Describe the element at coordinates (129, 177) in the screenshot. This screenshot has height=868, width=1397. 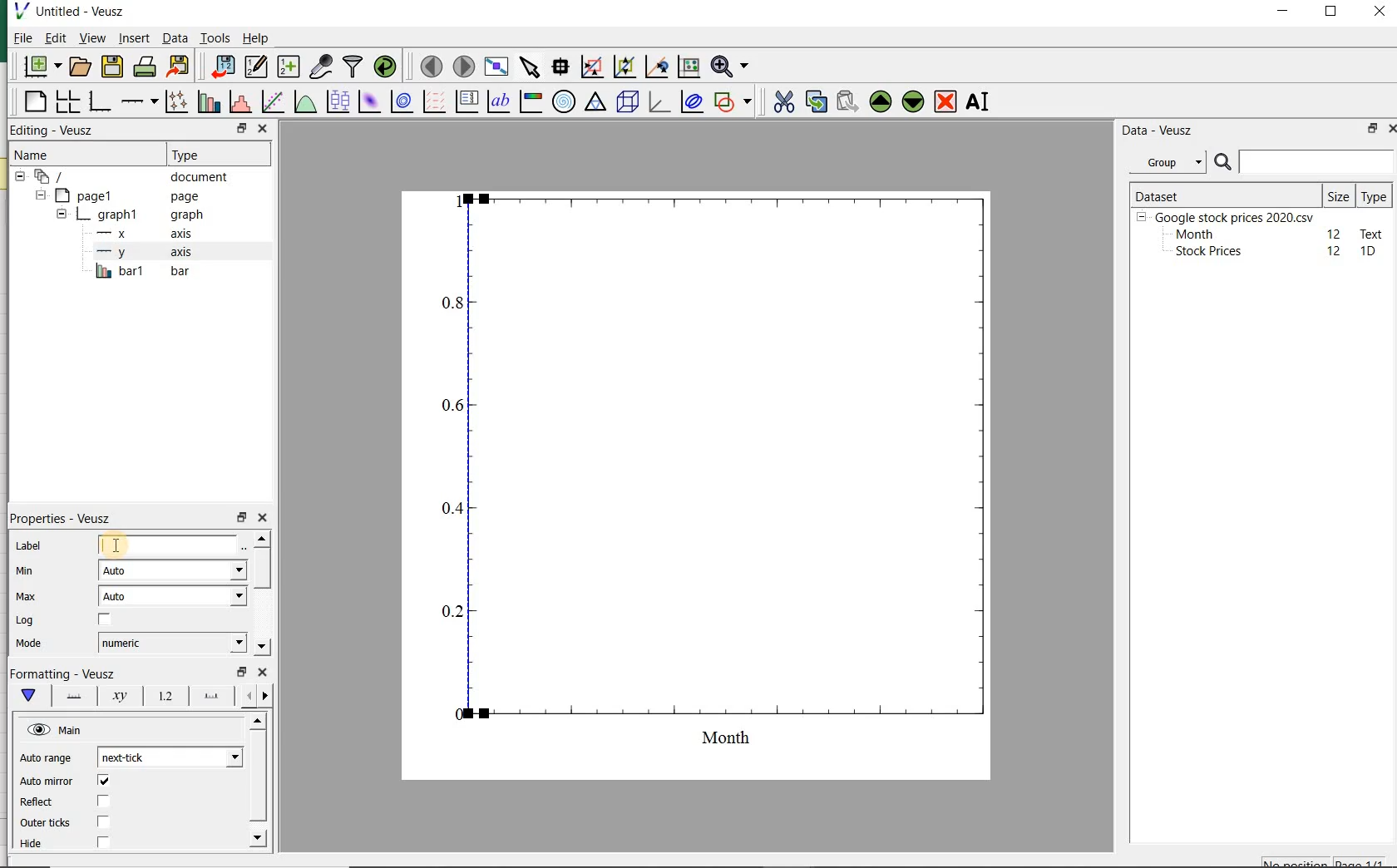
I see `document` at that location.